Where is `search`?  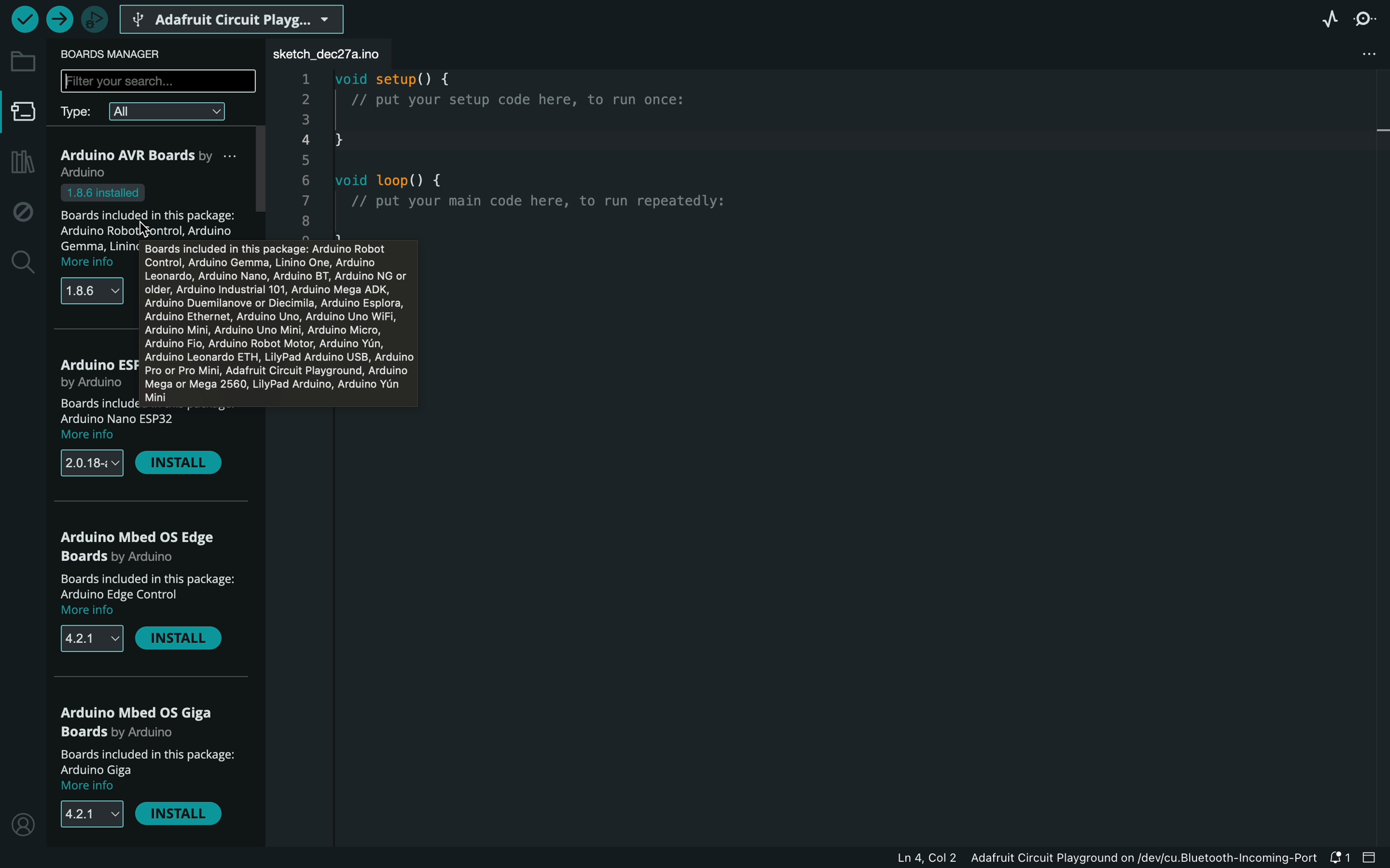 search is located at coordinates (25, 261).